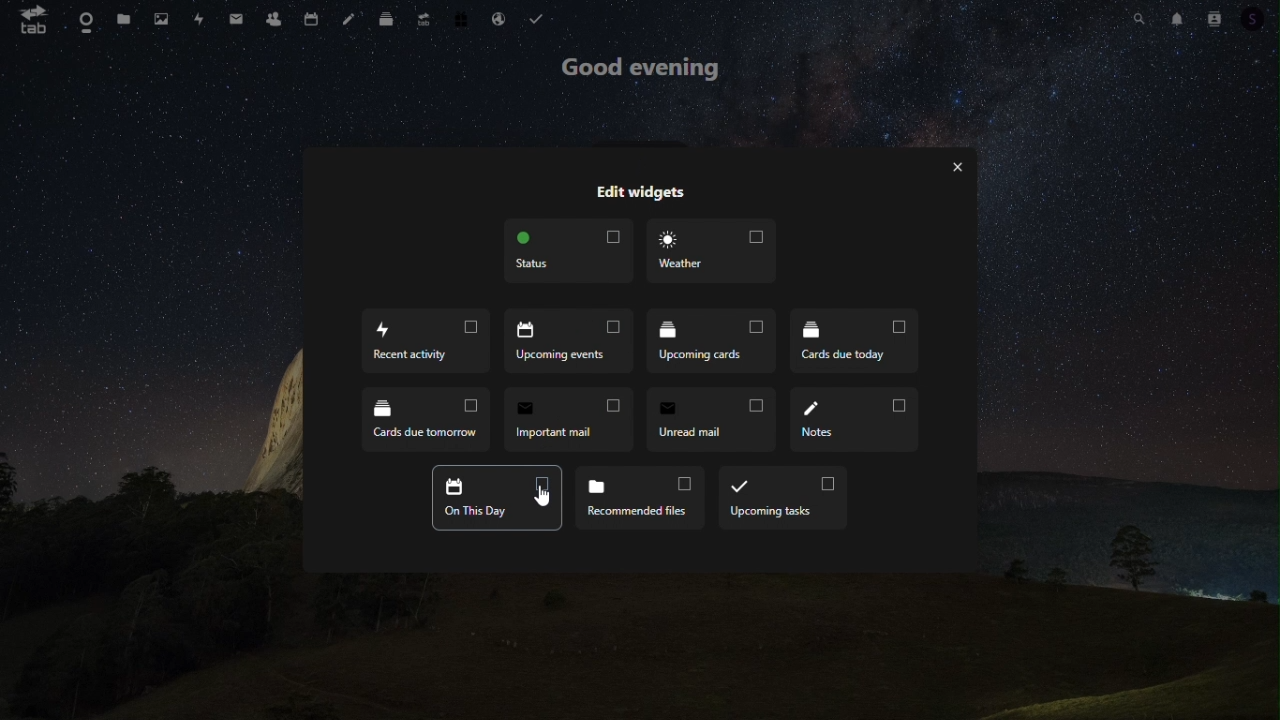 This screenshot has width=1280, height=720. What do you see at coordinates (1259, 18) in the screenshot?
I see `Account icon` at bounding box center [1259, 18].